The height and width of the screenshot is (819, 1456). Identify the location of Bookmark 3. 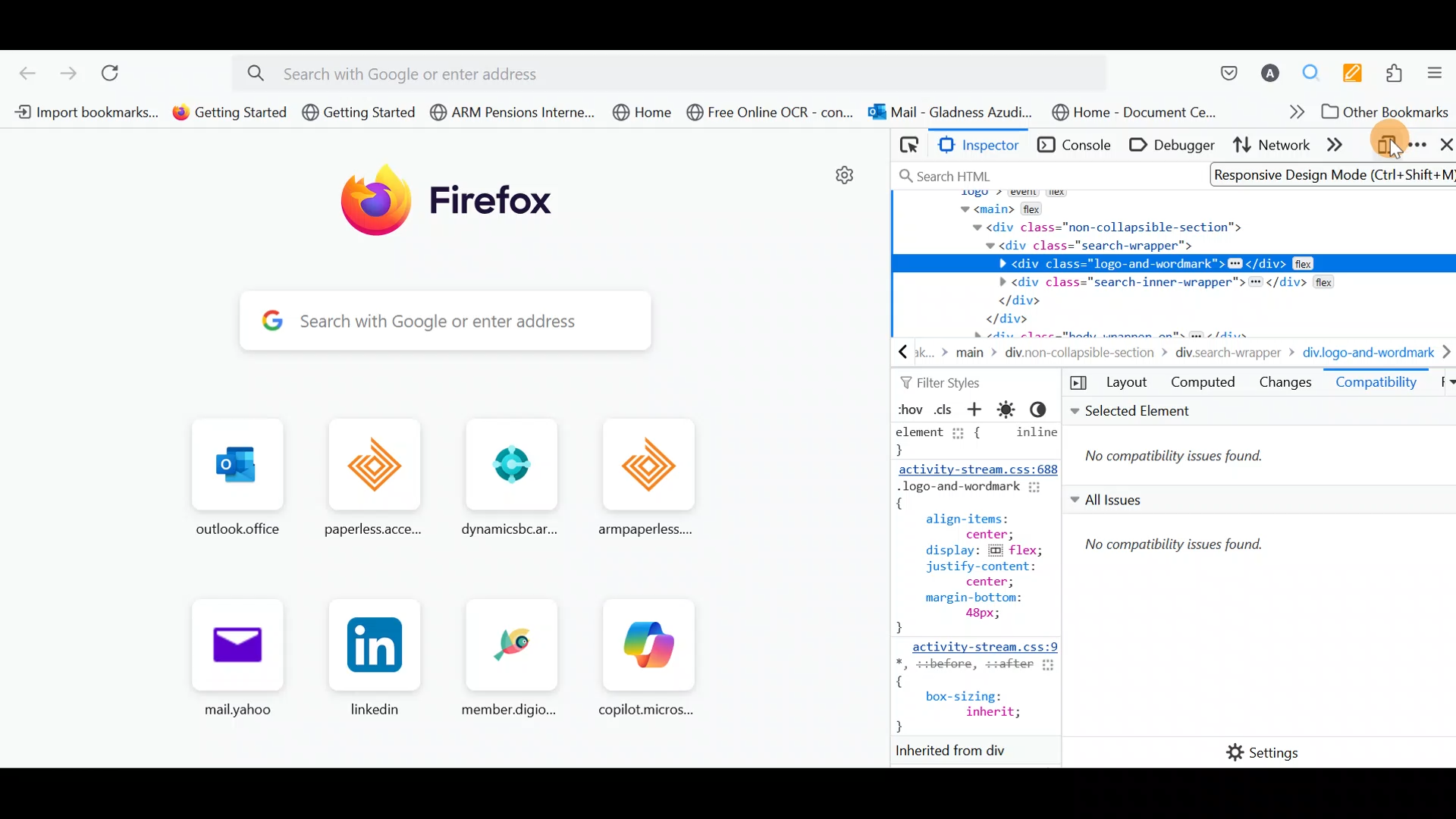
(359, 114).